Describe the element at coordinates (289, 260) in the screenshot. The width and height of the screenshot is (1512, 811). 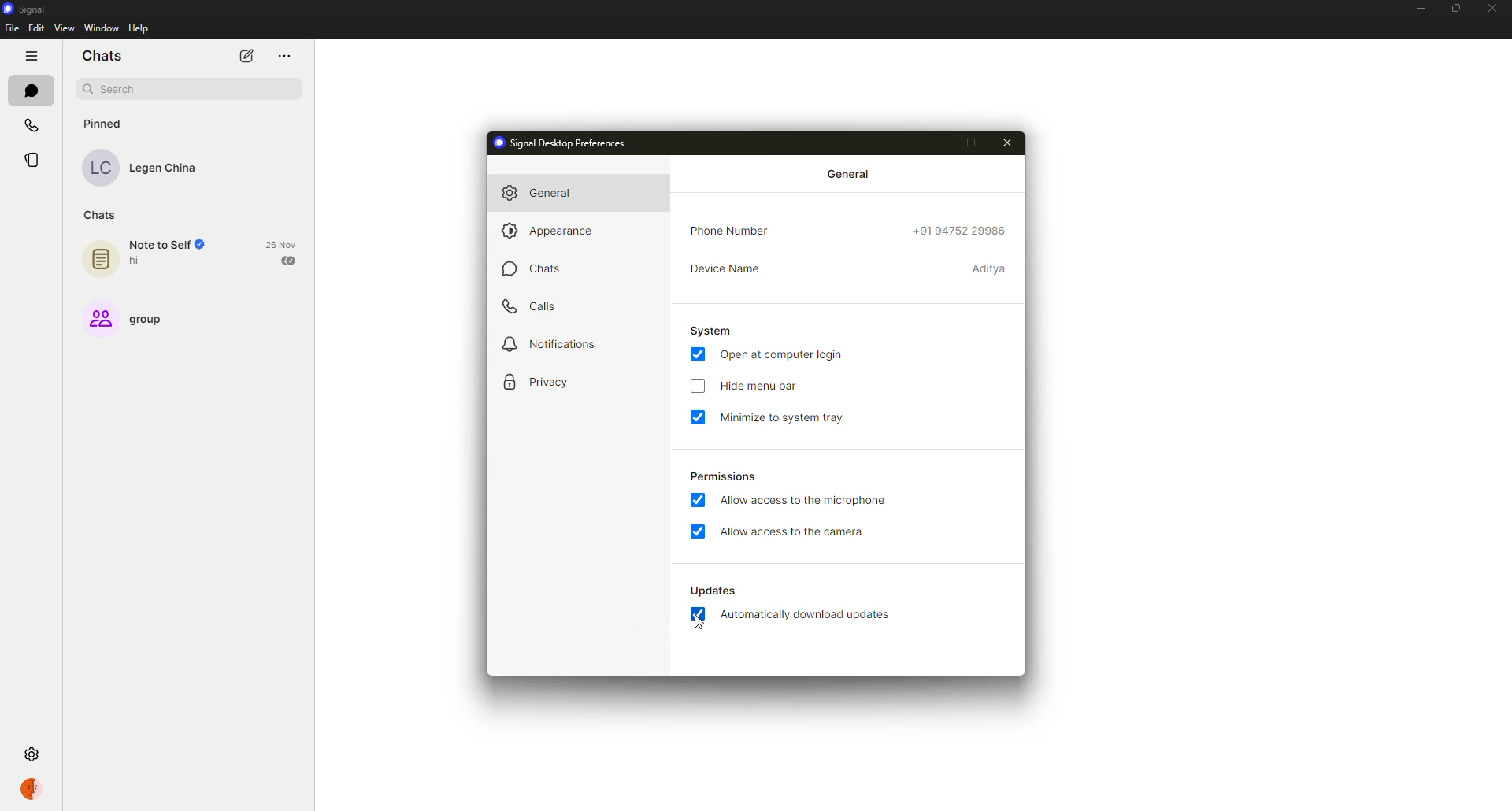
I see `sent` at that location.